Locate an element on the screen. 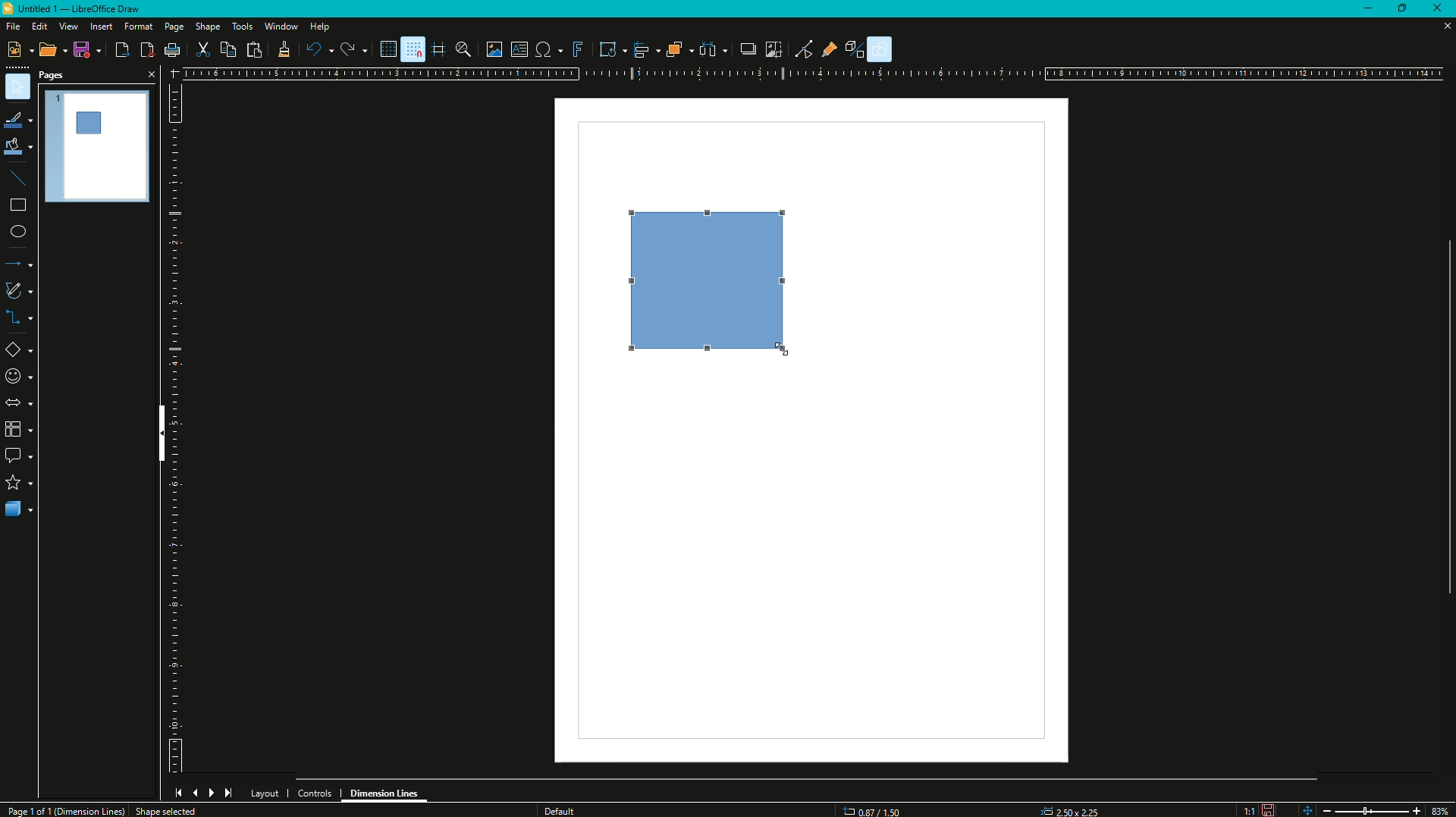  Page Preview is located at coordinates (98, 144).